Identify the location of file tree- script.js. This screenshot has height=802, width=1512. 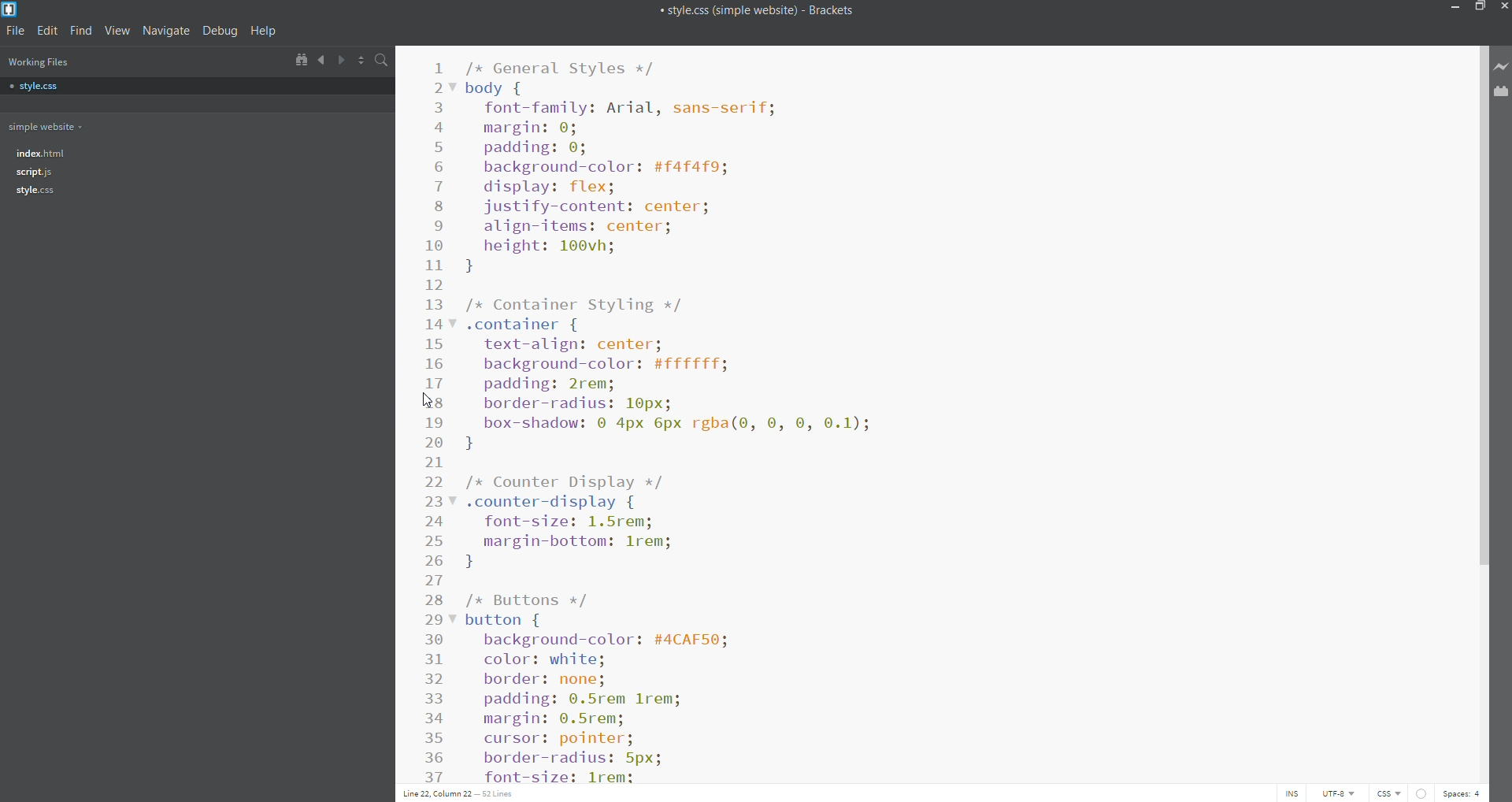
(35, 173).